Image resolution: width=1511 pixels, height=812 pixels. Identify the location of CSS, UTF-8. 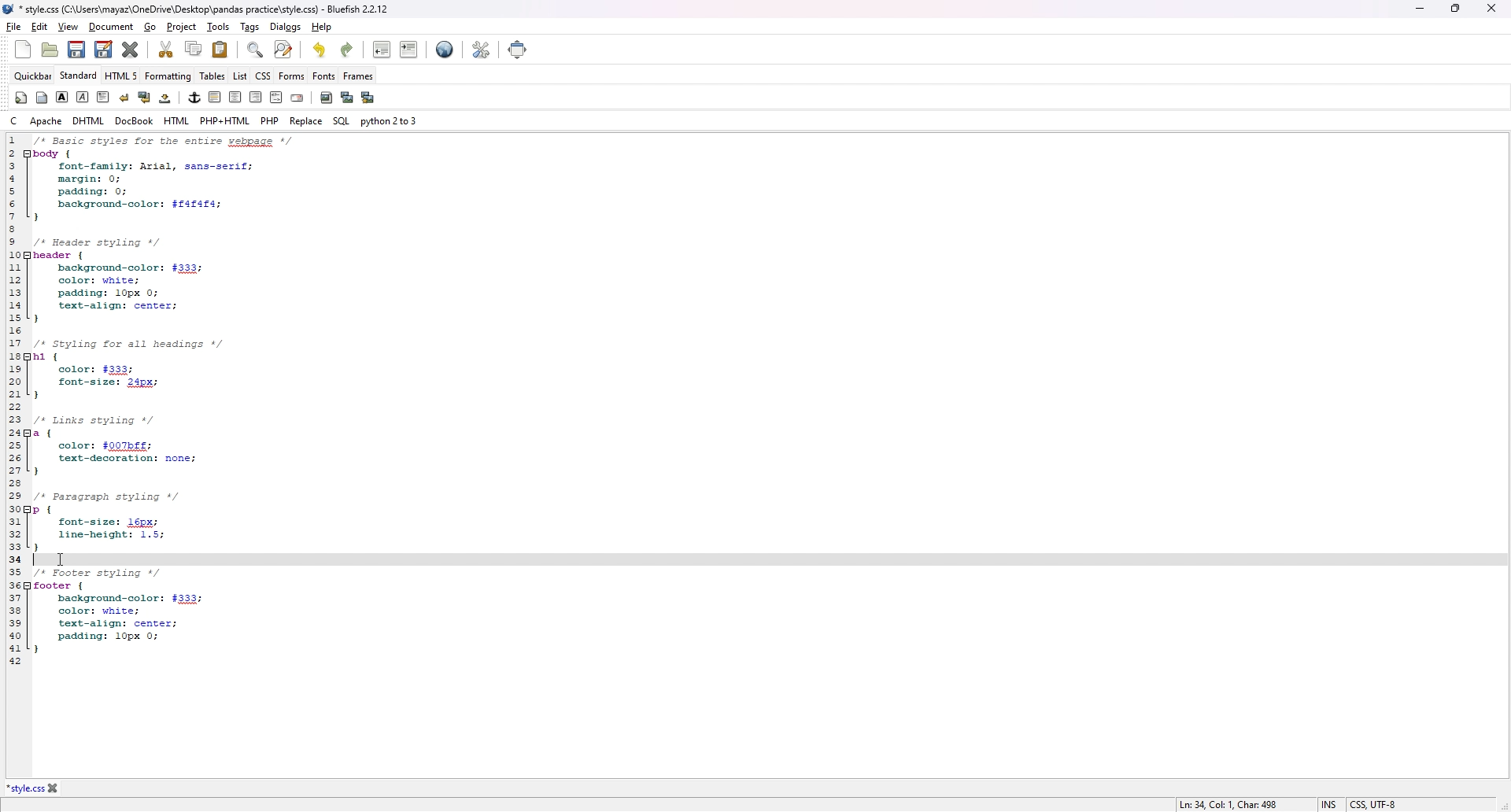
(1376, 803).